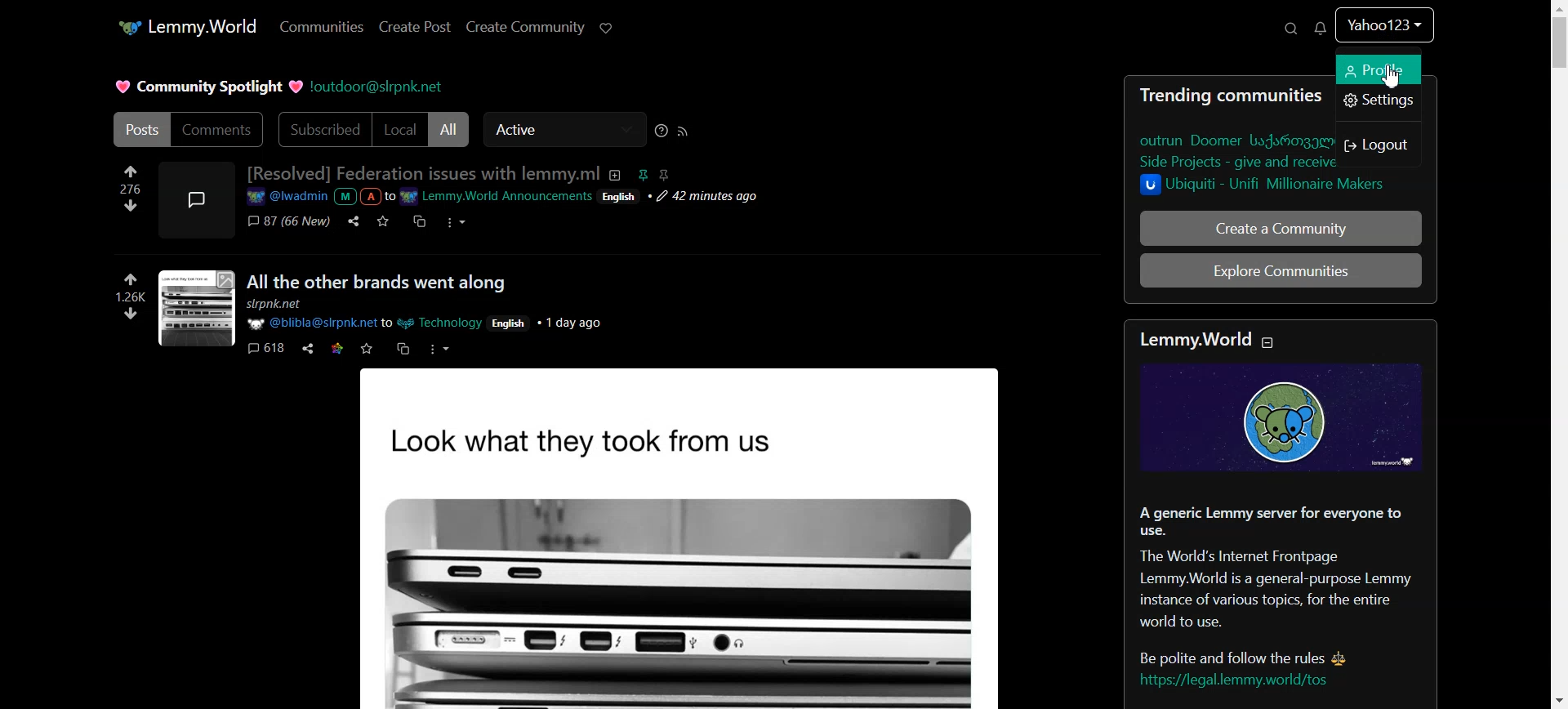 This screenshot has height=709, width=1568. Describe the element at coordinates (208, 87) in the screenshot. I see `Text` at that location.